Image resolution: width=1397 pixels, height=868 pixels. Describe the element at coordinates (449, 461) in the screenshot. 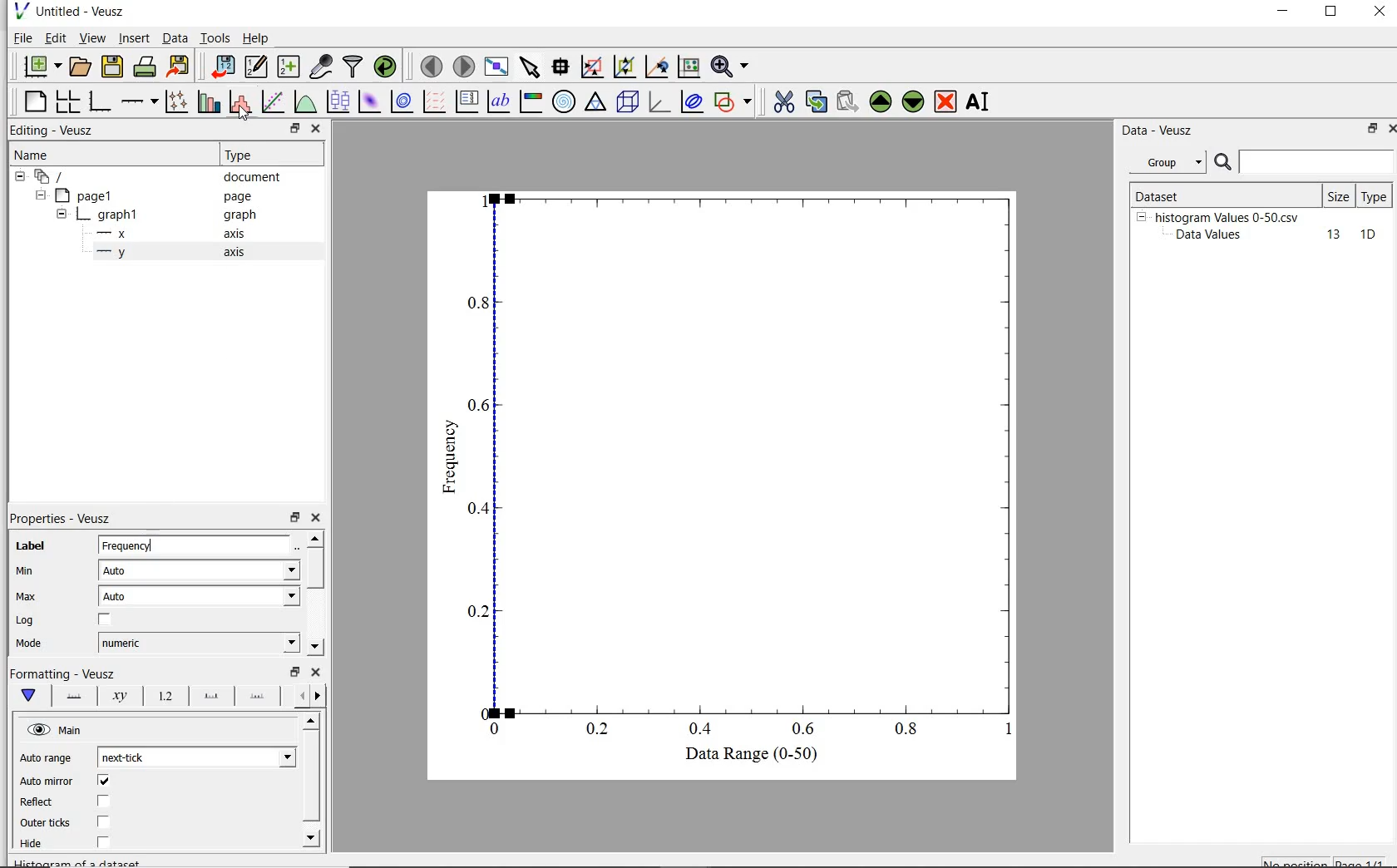

I see `frequency` at that location.